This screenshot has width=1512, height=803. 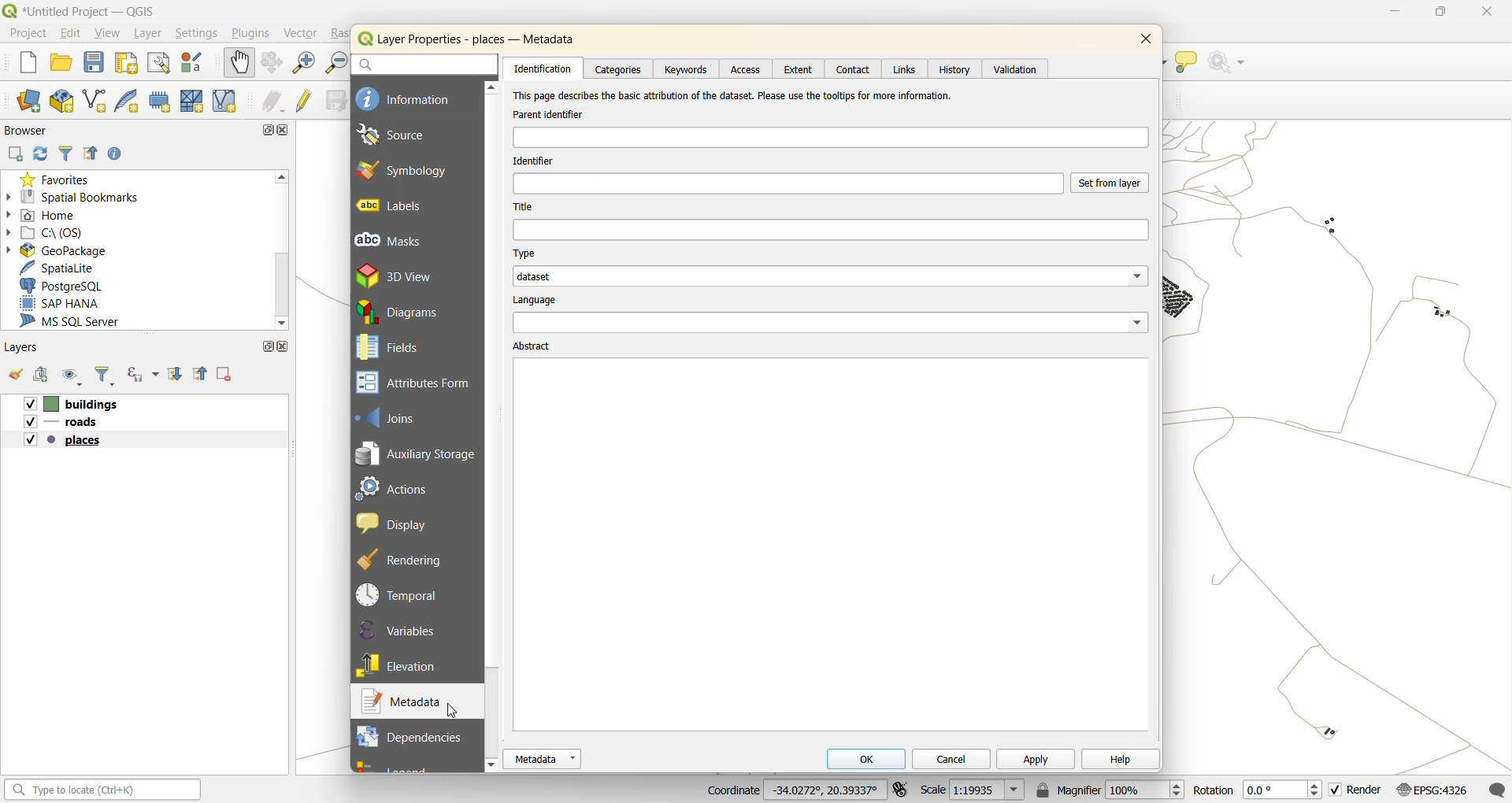 I want to click on postgresql, so click(x=76, y=283).